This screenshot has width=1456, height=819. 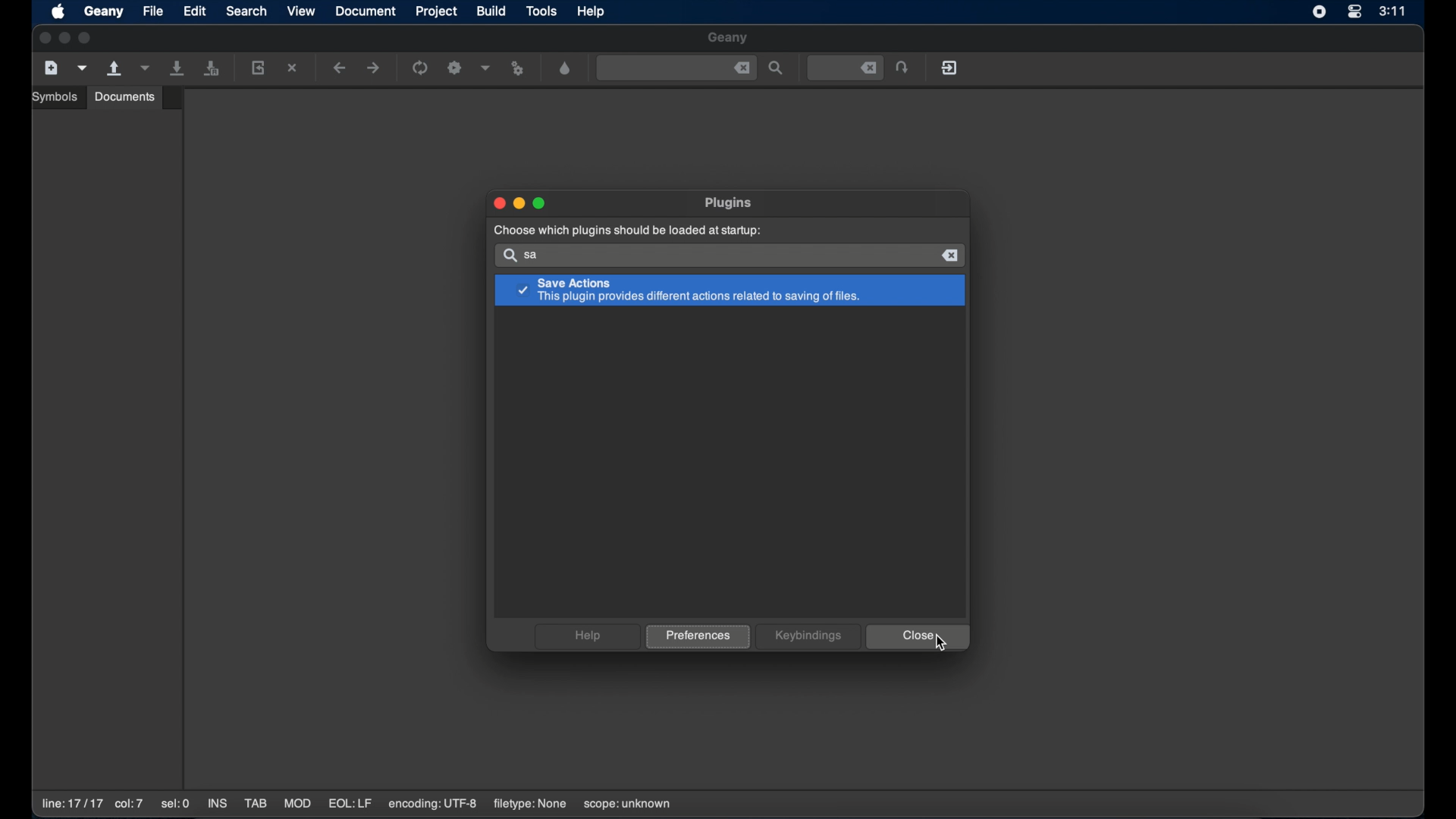 I want to click on sa, so click(x=535, y=256).